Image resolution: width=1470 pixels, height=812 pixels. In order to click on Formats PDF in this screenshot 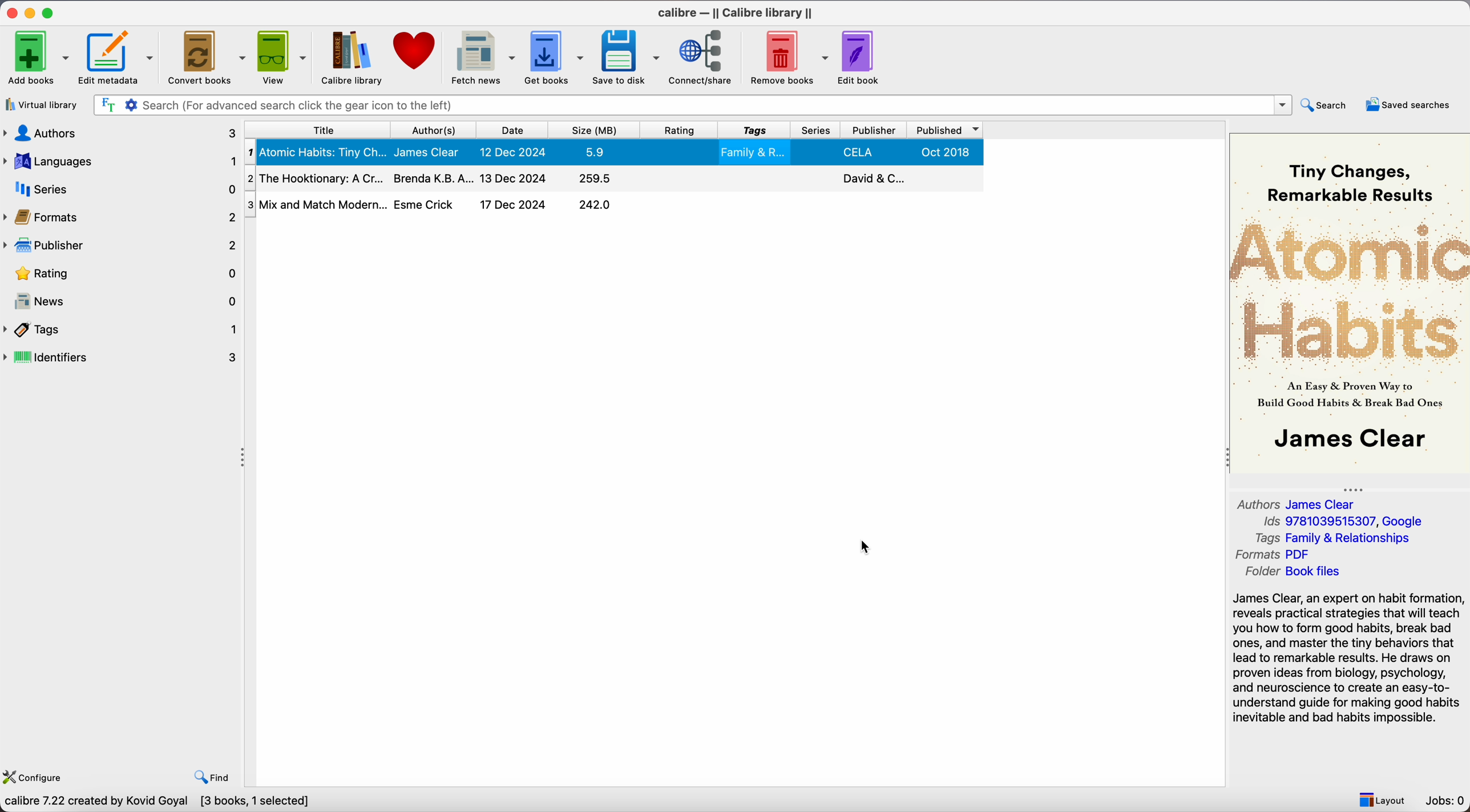, I will do `click(1276, 555)`.